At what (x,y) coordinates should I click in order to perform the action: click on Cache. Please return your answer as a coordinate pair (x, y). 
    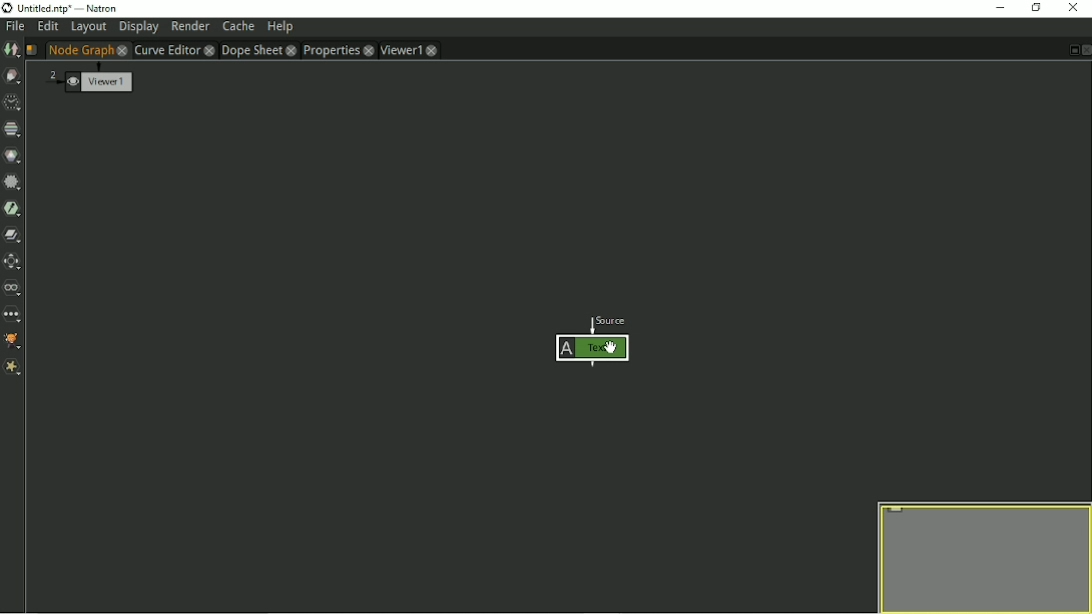
    Looking at the image, I should click on (238, 26).